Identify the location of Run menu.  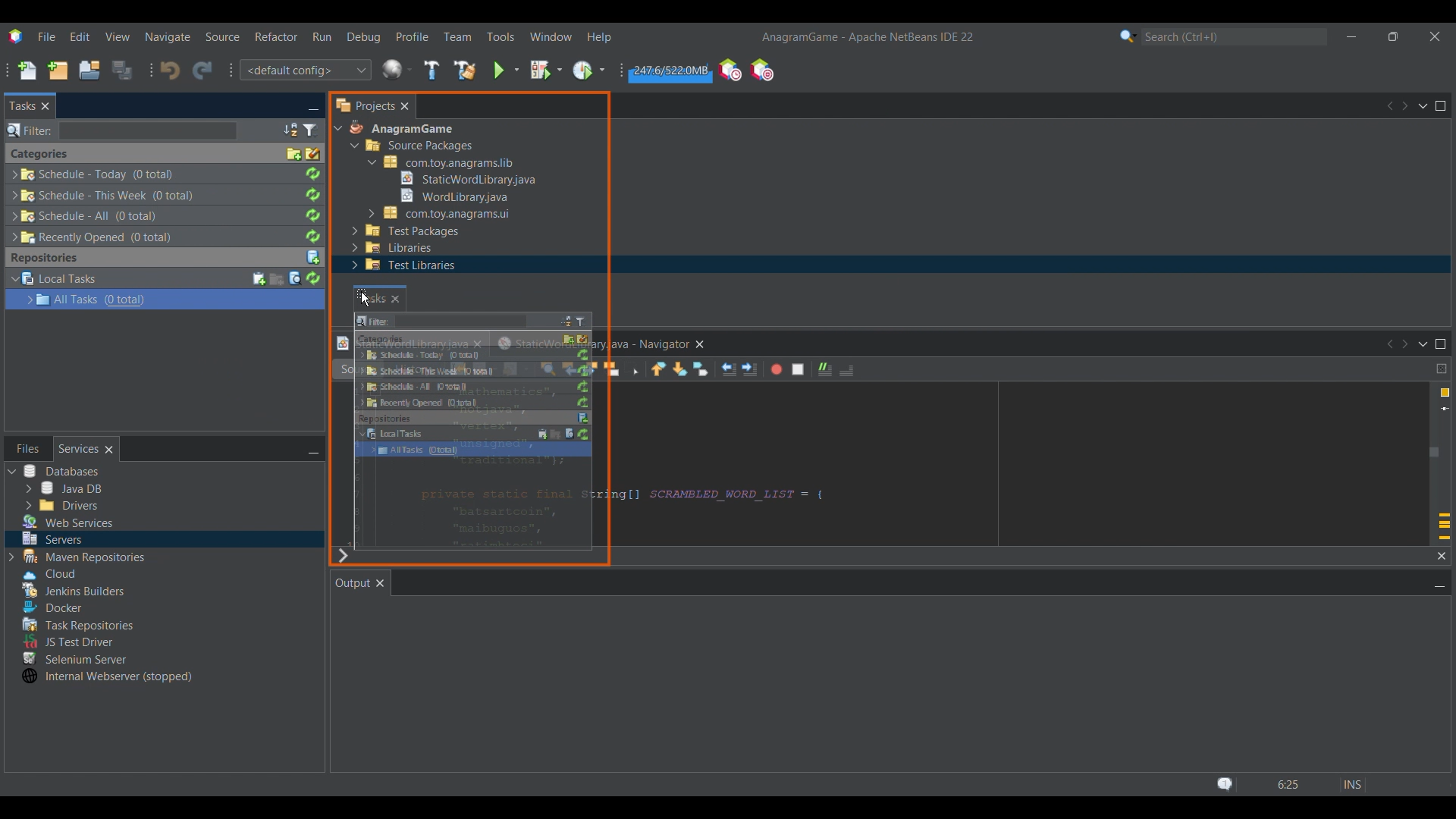
(322, 36).